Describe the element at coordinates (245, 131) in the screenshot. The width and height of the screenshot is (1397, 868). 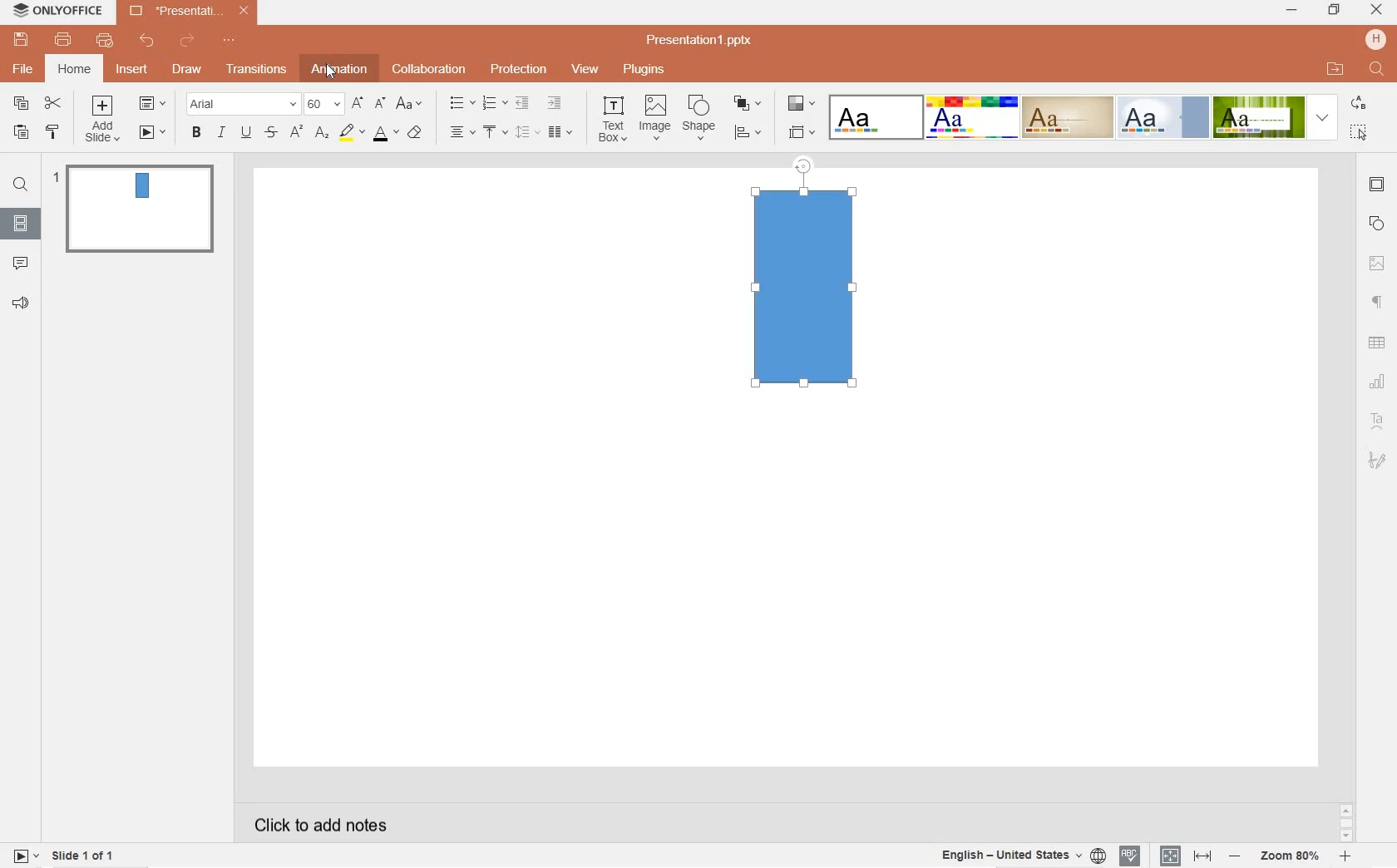
I see `underline` at that location.